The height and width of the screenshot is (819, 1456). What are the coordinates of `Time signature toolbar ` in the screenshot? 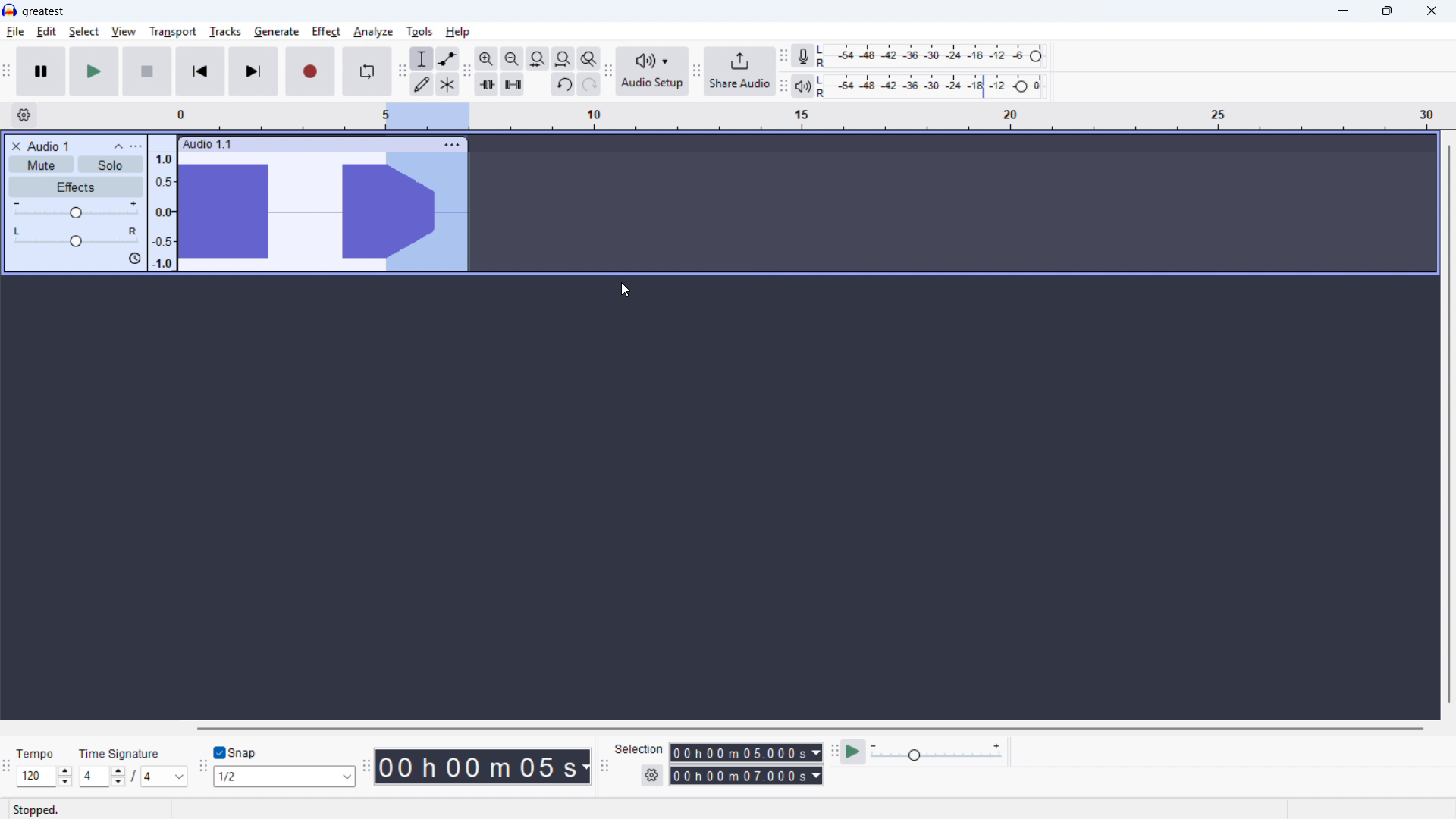 It's located at (8, 770).